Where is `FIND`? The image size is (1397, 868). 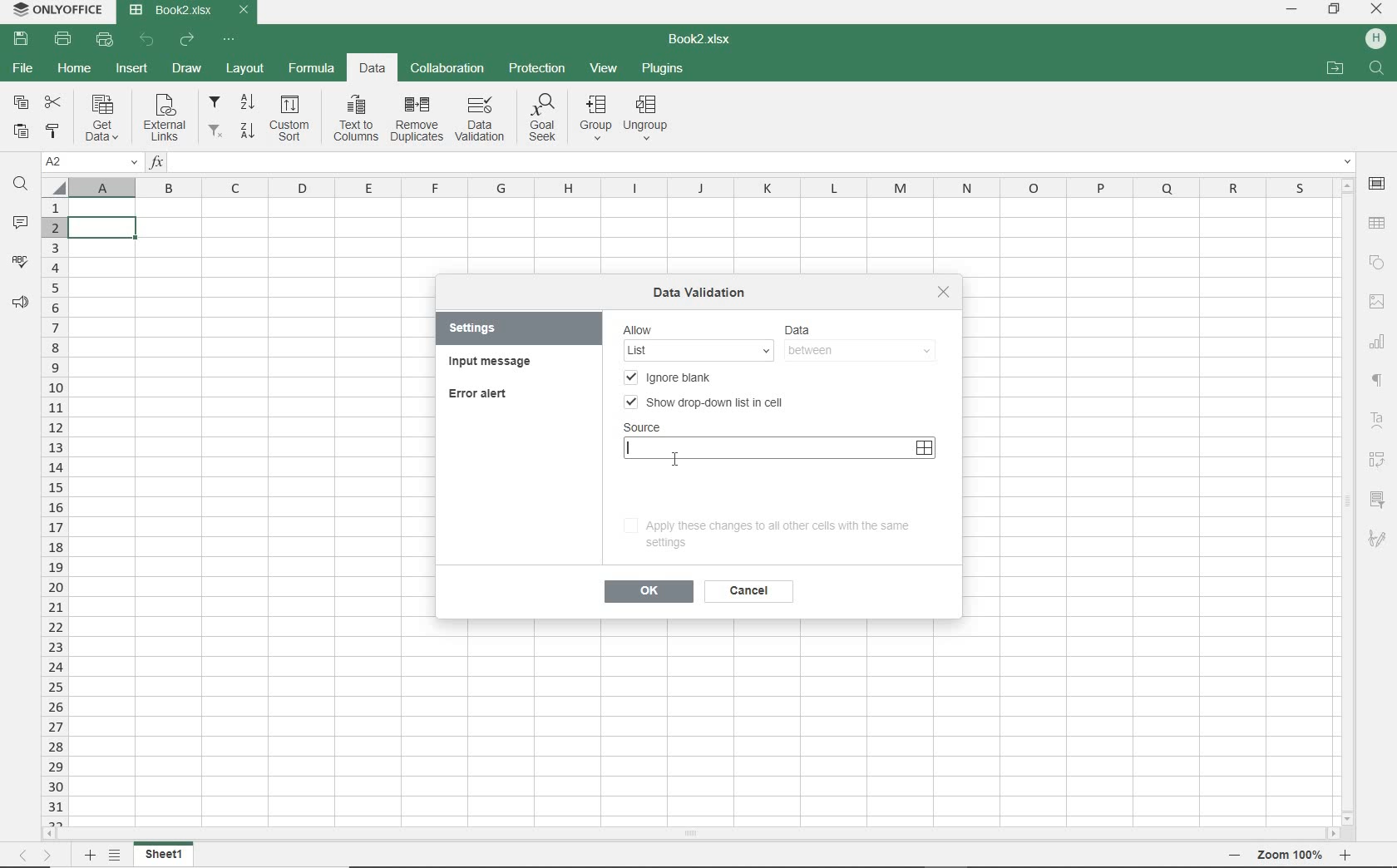 FIND is located at coordinates (19, 185).